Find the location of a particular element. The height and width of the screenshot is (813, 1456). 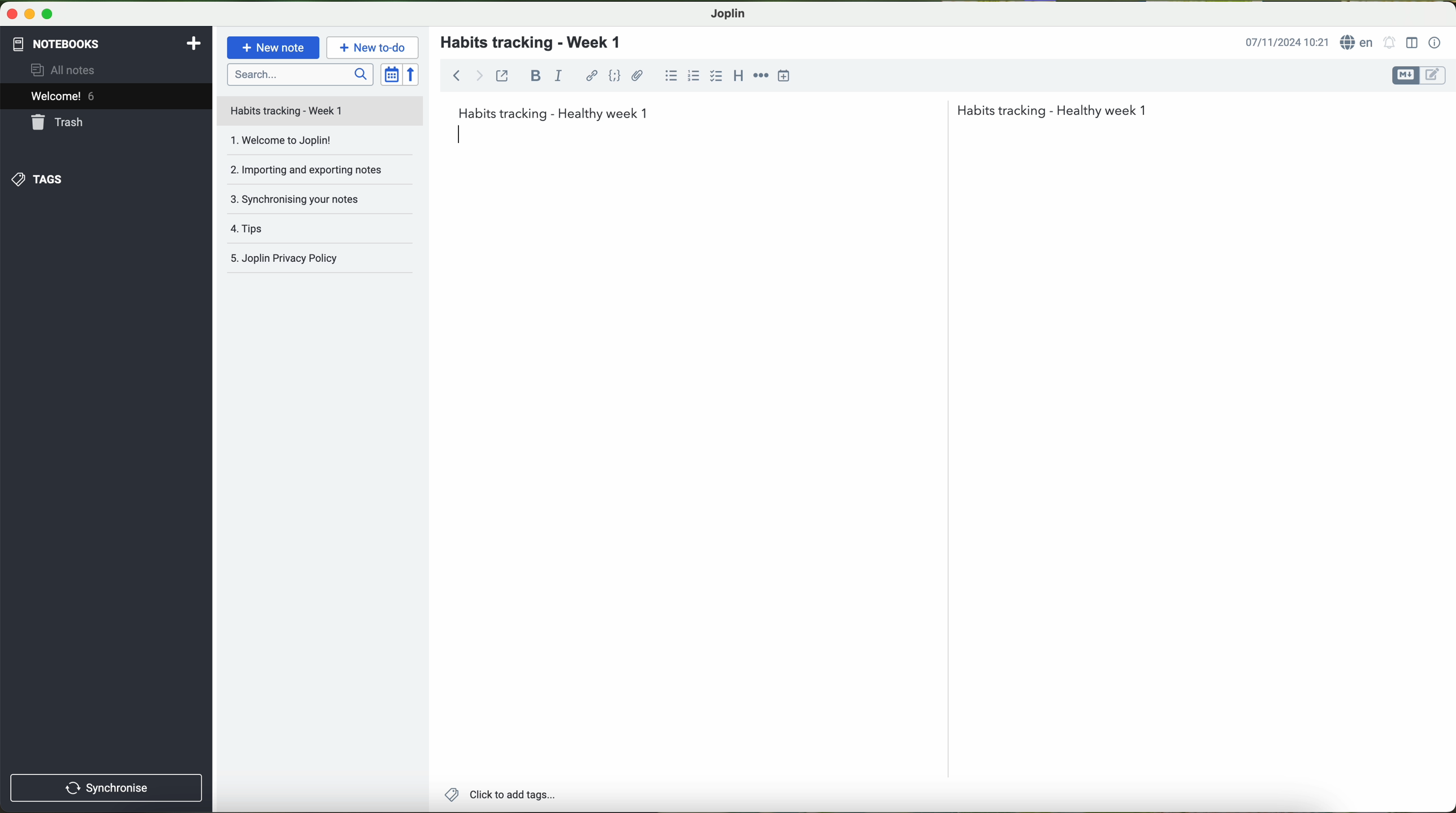

synchronnise button is located at coordinates (105, 789).